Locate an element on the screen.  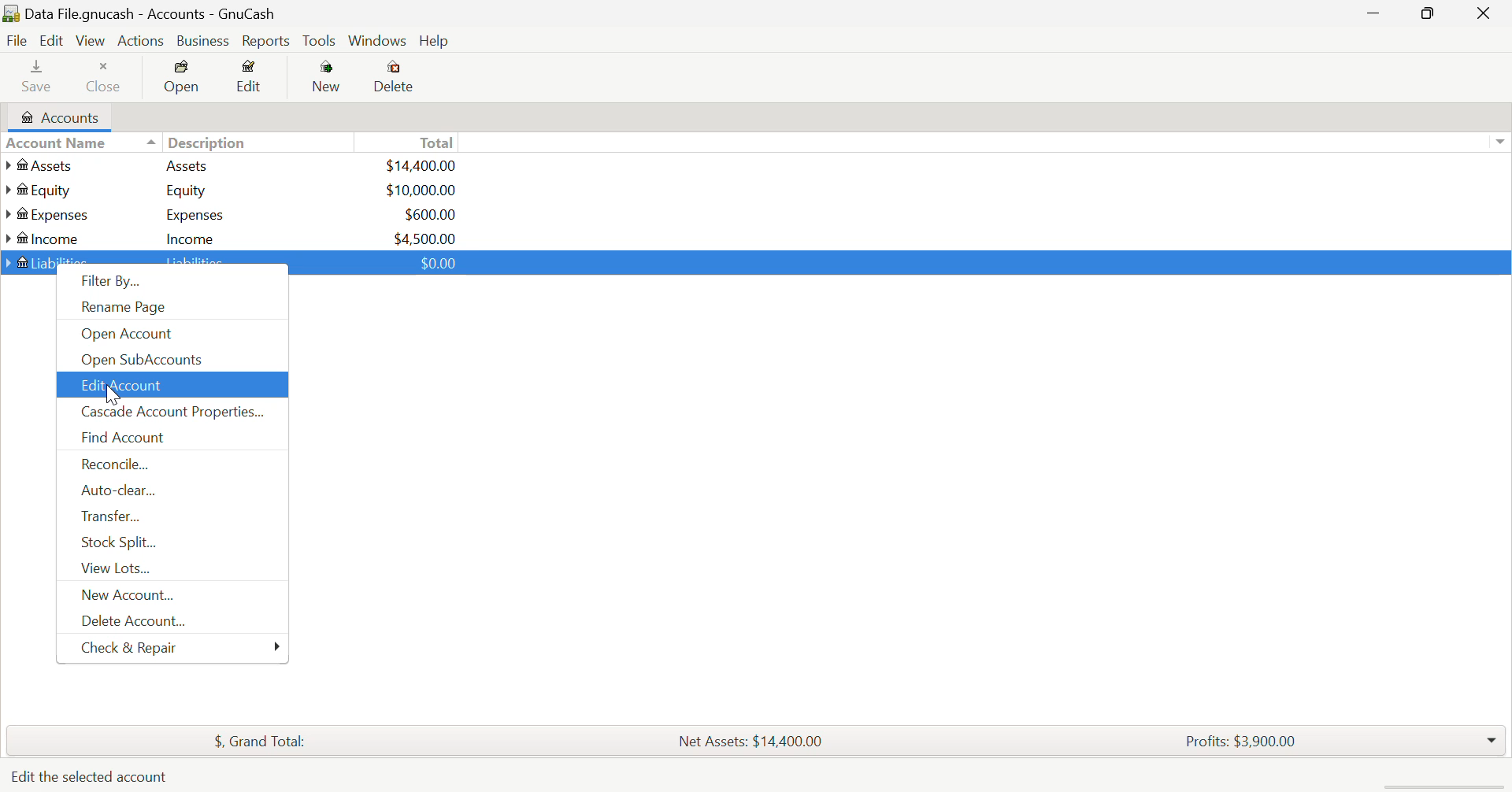
Transfer is located at coordinates (170, 518).